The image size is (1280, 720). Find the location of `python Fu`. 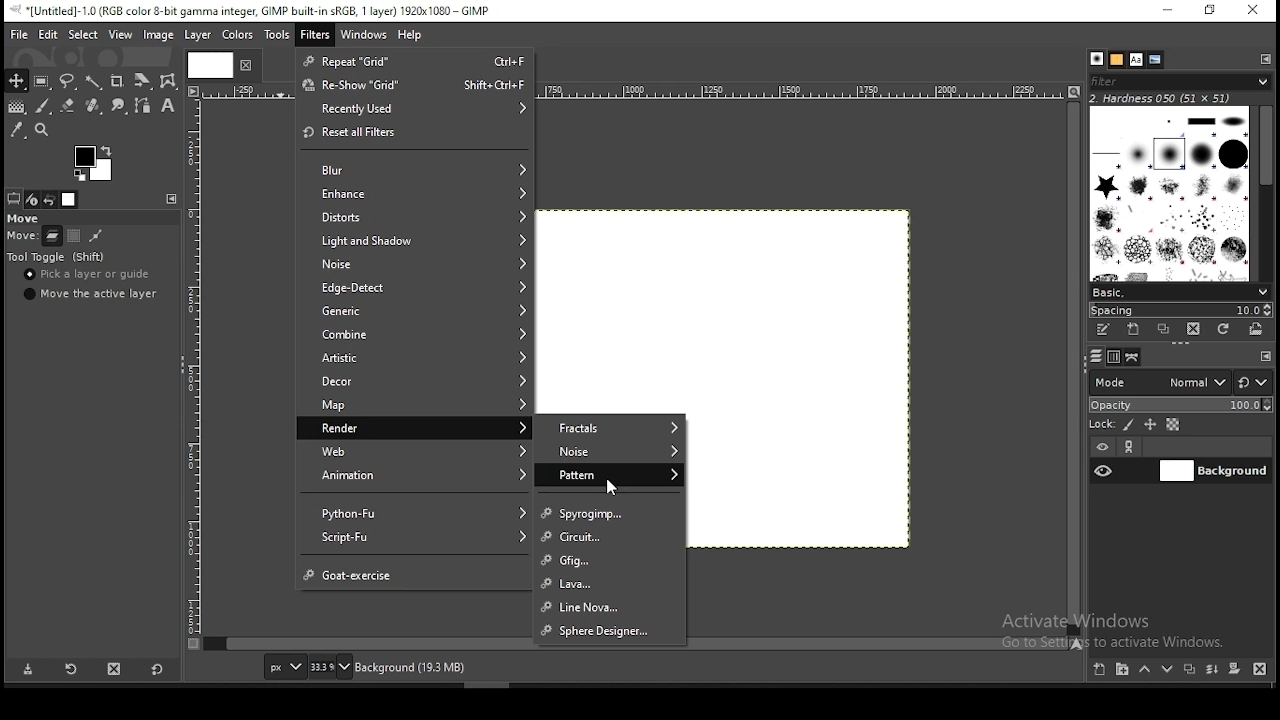

python Fu is located at coordinates (415, 512).